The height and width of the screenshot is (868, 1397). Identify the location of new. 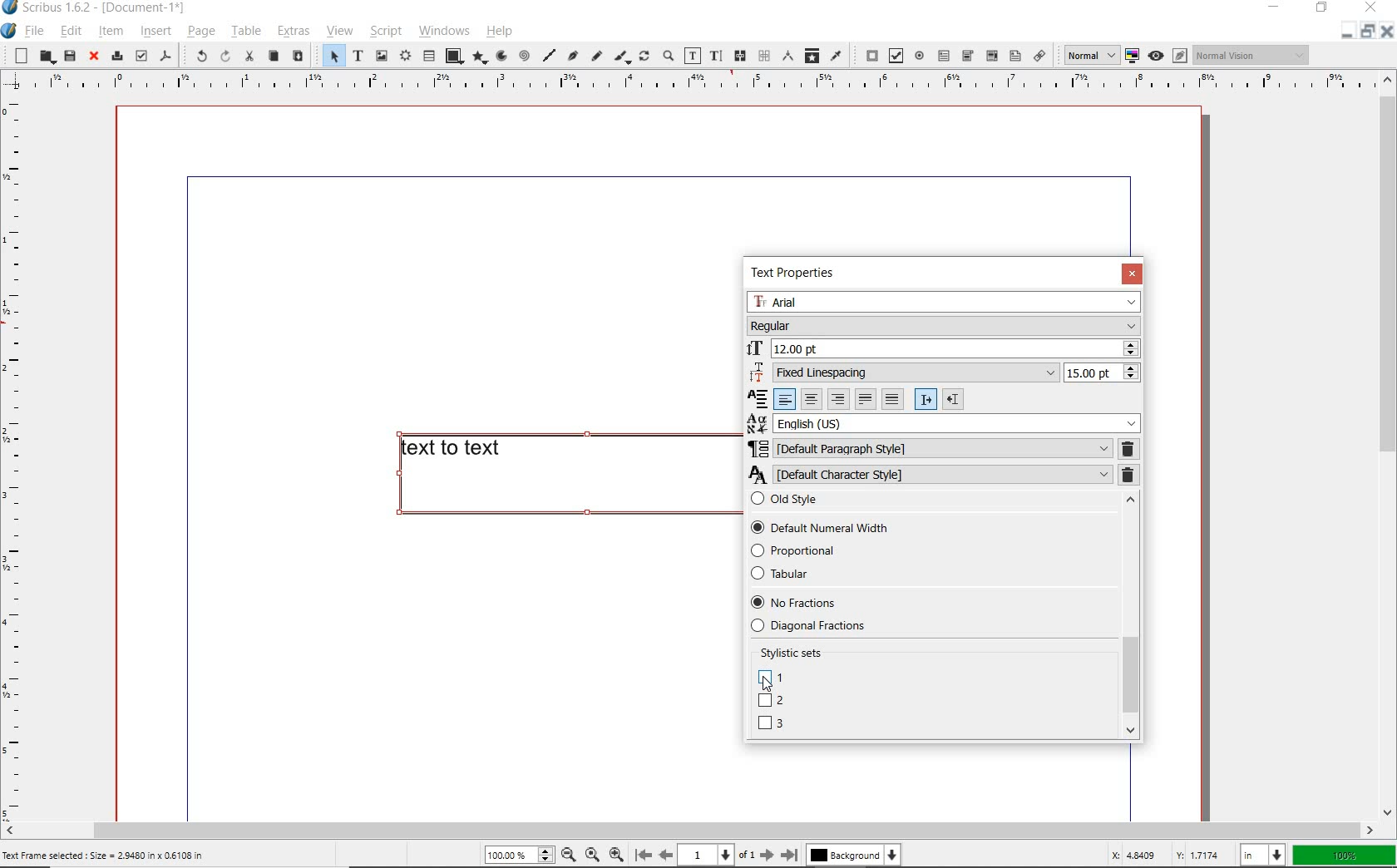
(17, 55).